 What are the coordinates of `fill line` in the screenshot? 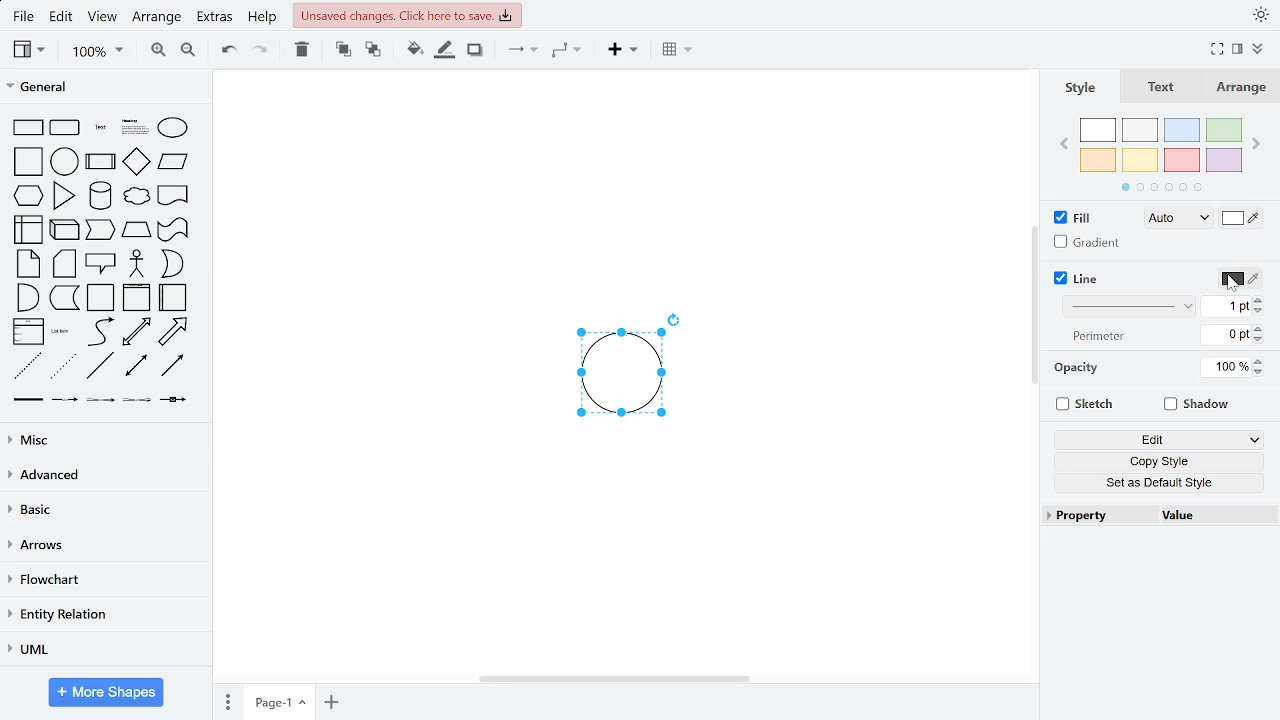 It's located at (444, 51).